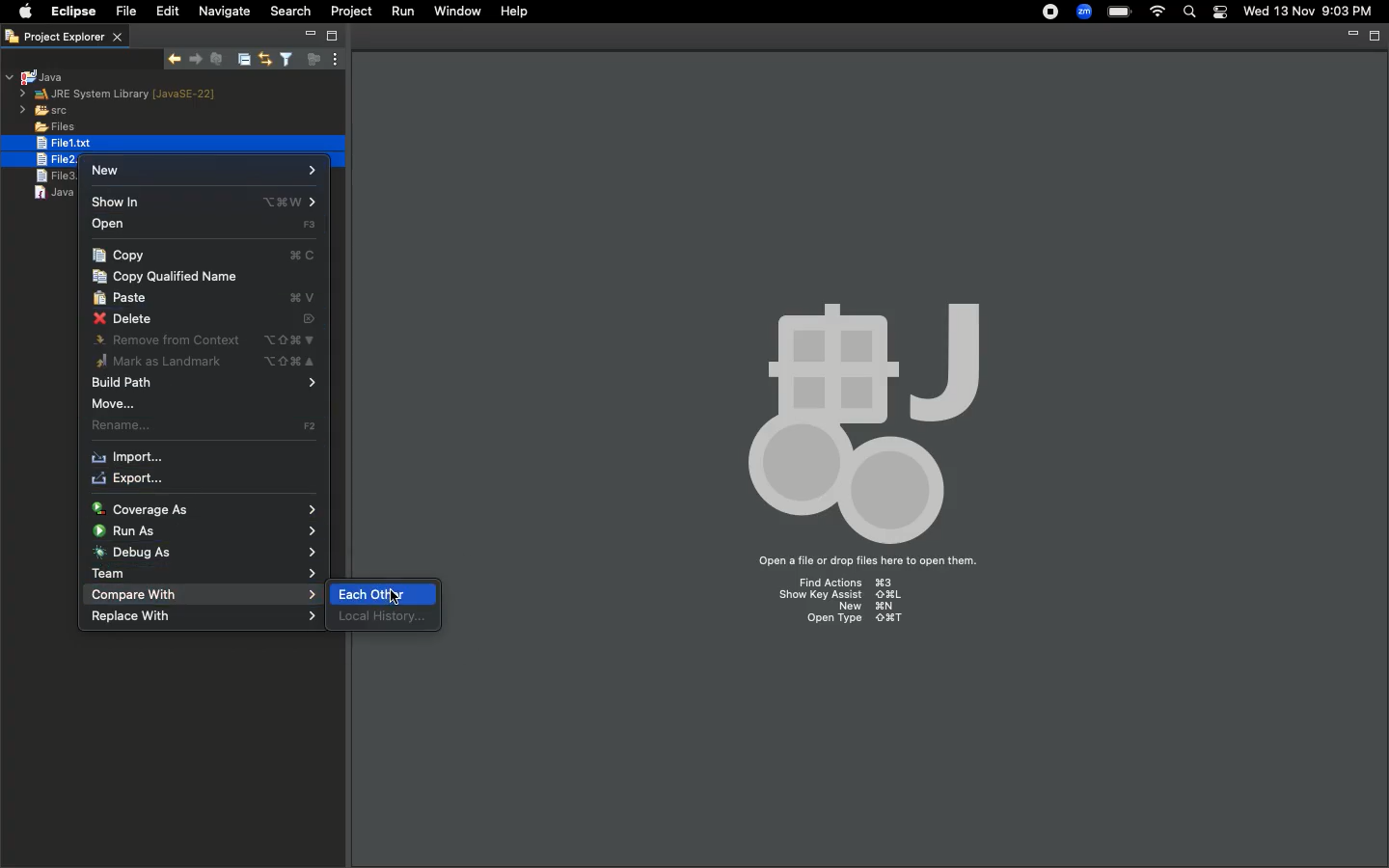 This screenshot has height=868, width=1389. Describe the element at coordinates (515, 12) in the screenshot. I see `Help` at that location.